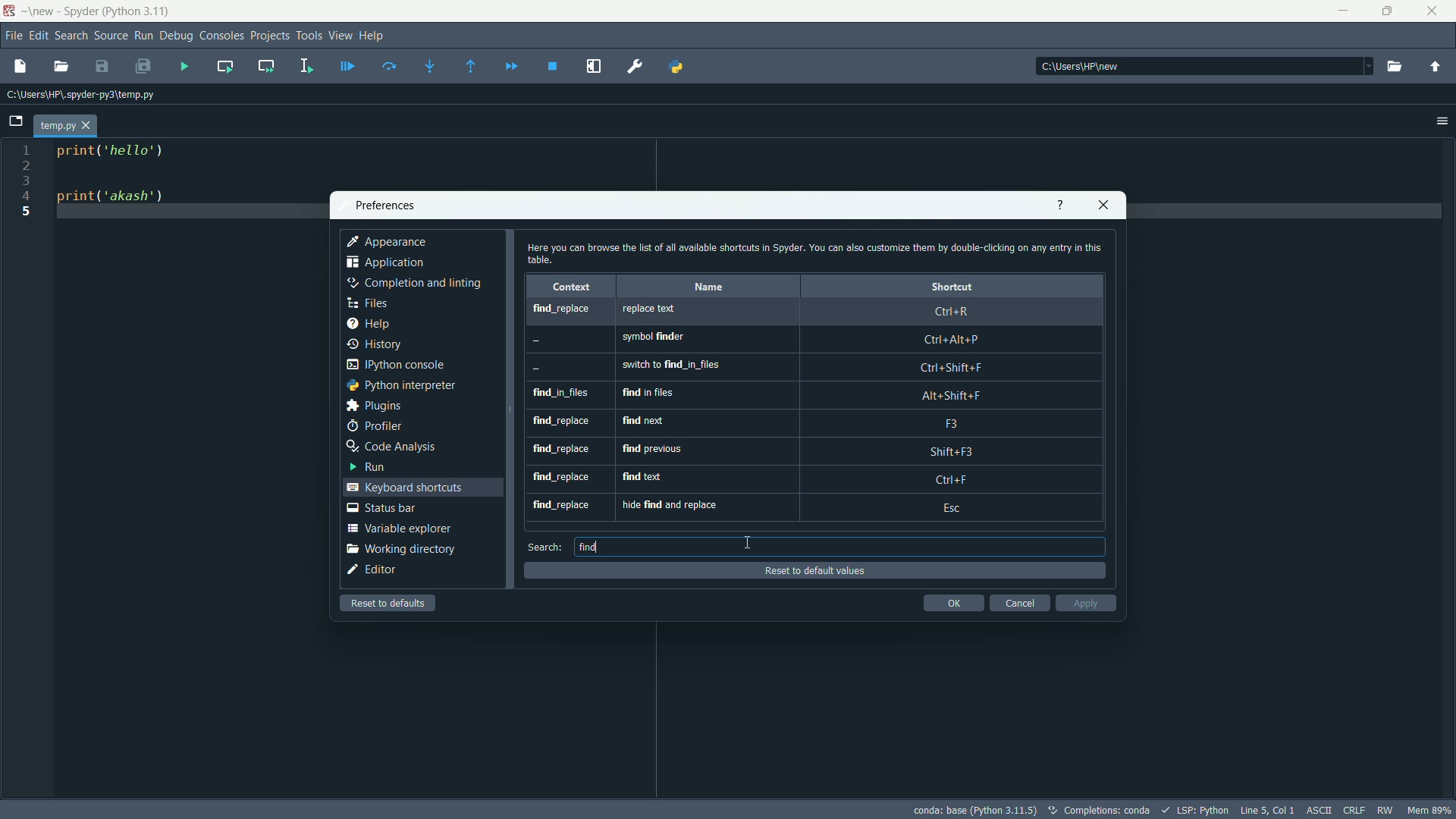 The image size is (1456, 819). I want to click on ASII, so click(1318, 809).